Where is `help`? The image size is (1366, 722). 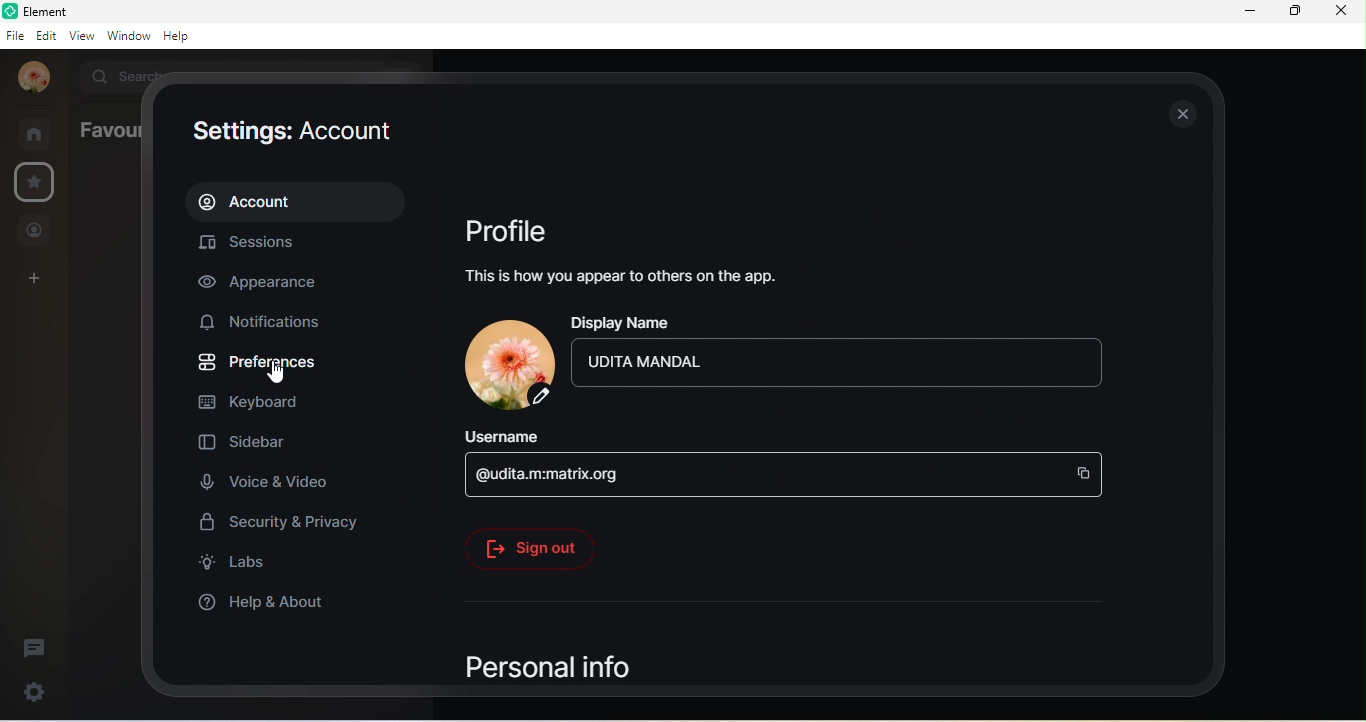 help is located at coordinates (183, 38).